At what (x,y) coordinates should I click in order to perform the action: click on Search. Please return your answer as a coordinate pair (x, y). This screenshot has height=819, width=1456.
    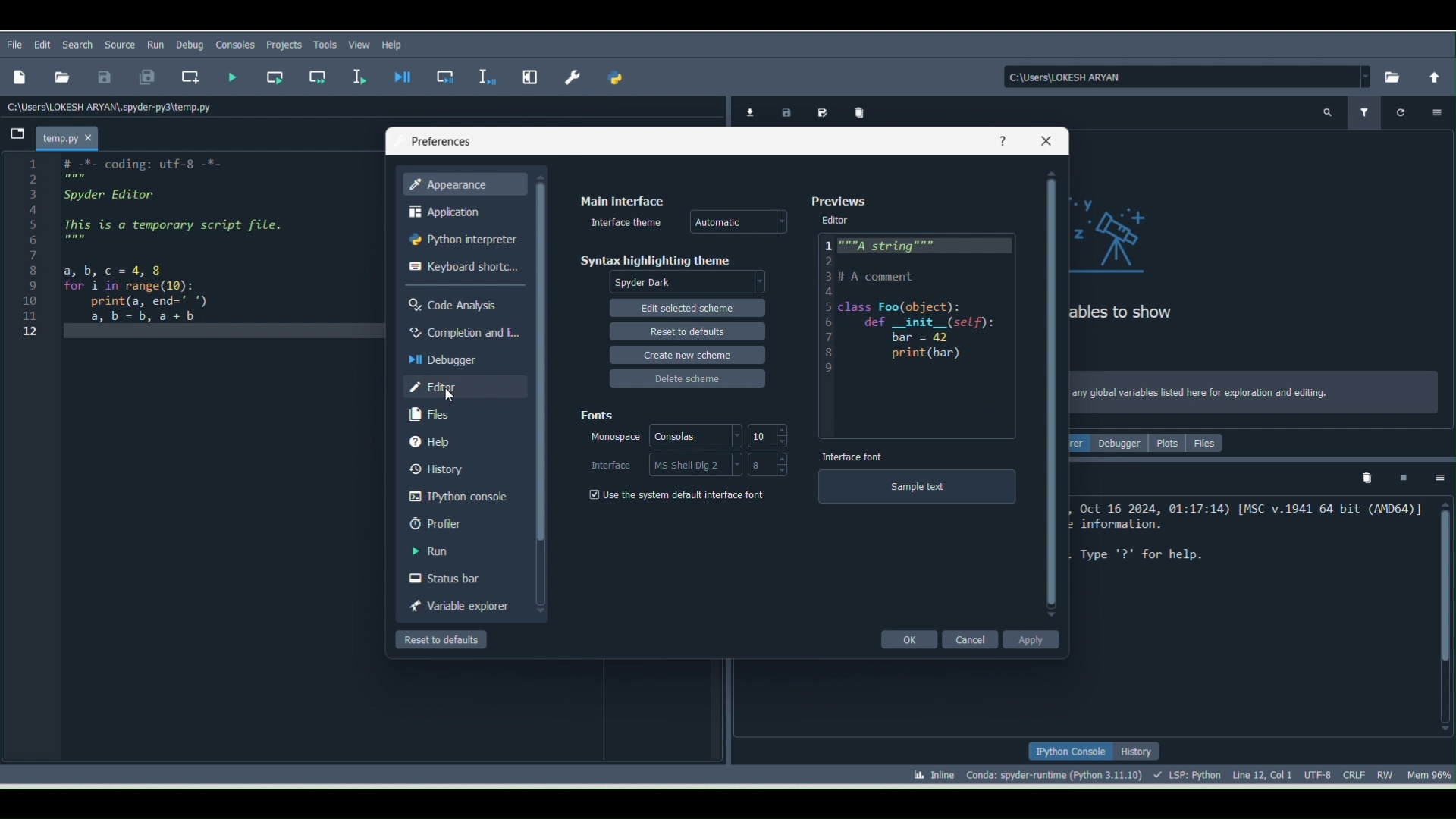
    Looking at the image, I should click on (76, 43).